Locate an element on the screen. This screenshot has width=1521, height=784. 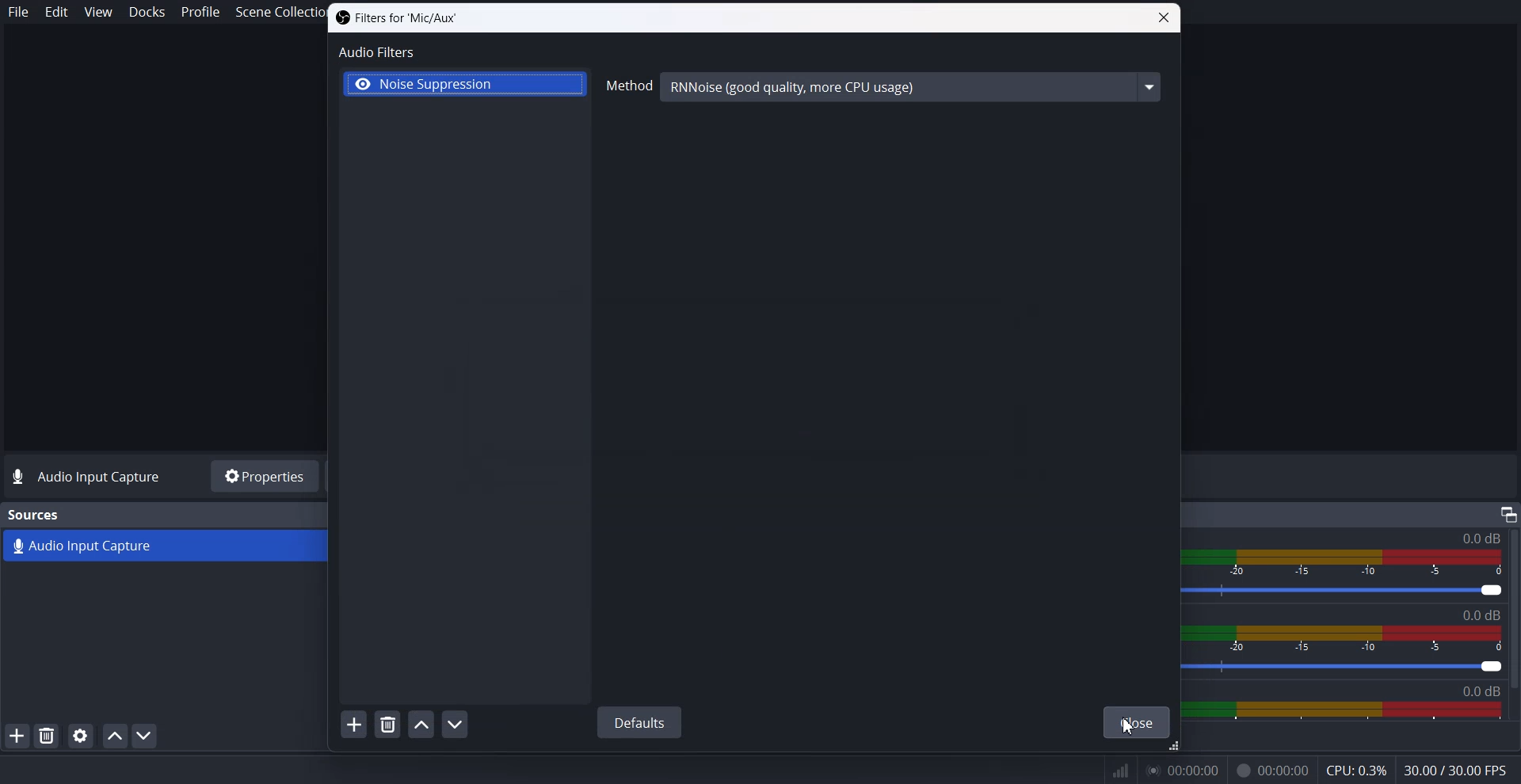
Text is located at coordinates (35, 515).